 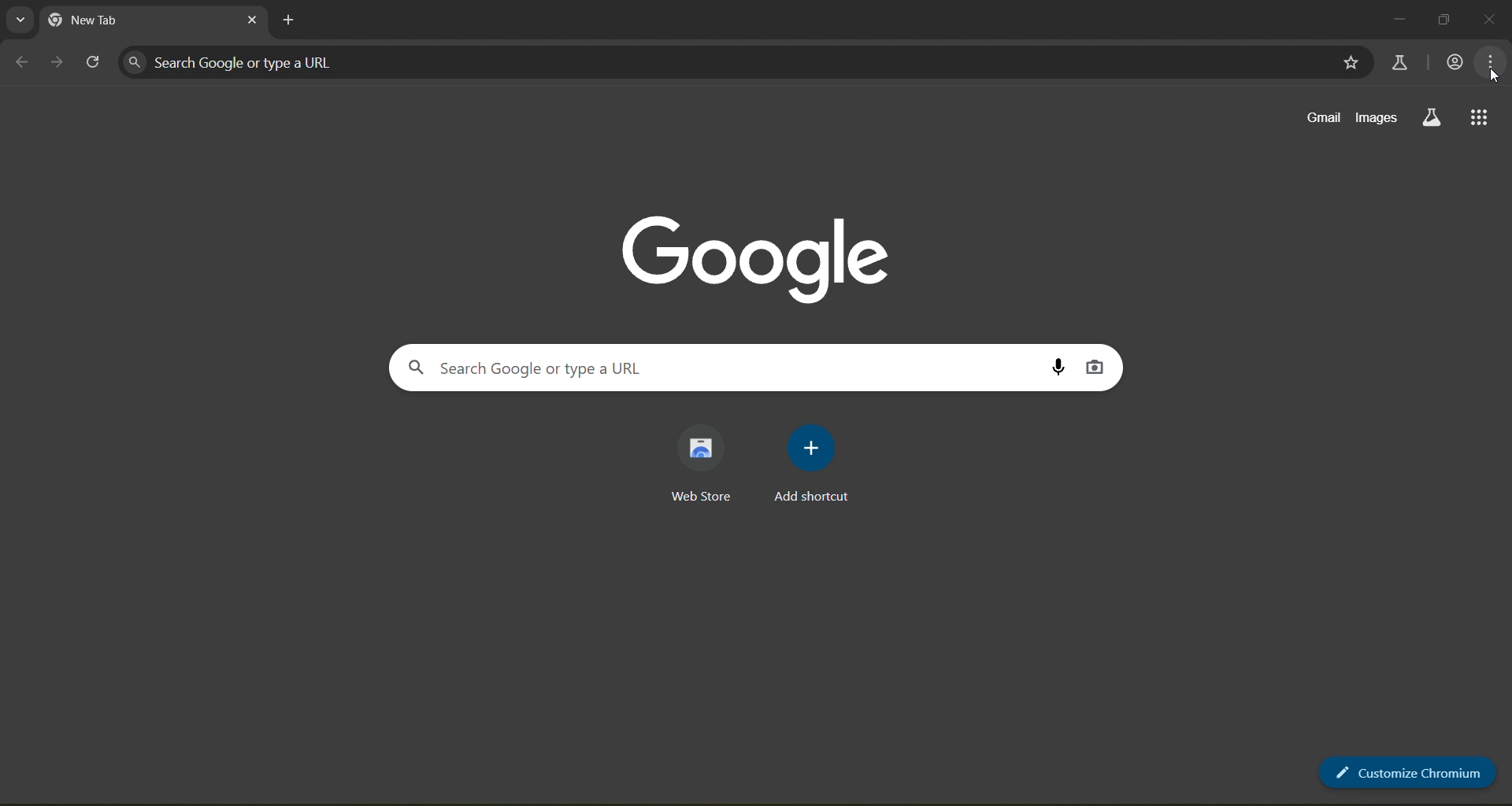 I want to click on cursor, so click(x=1493, y=75).